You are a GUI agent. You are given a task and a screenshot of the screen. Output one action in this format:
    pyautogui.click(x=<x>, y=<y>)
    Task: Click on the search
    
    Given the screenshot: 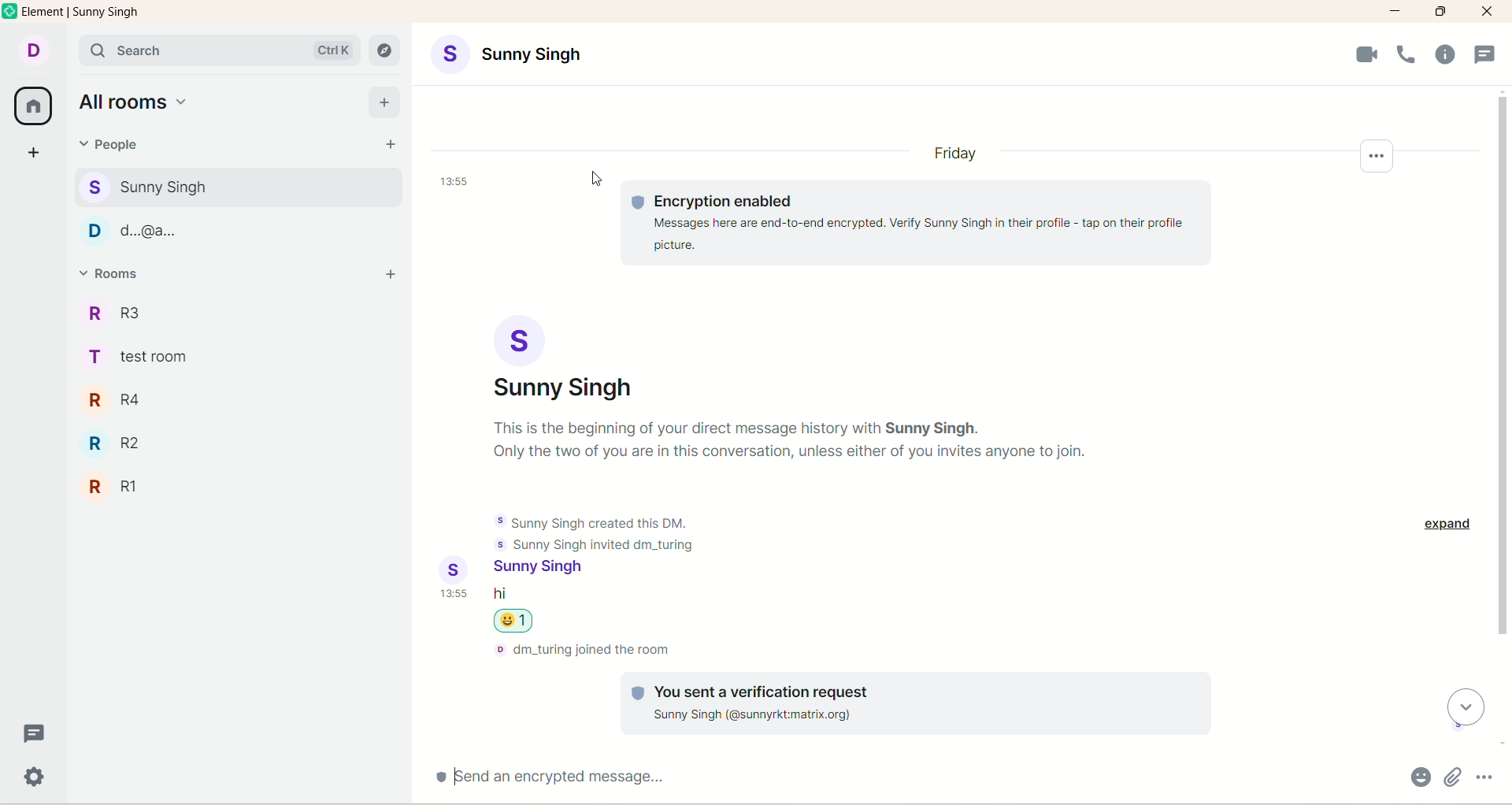 What is the action you would take?
    pyautogui.click(x=219, y=50)
    